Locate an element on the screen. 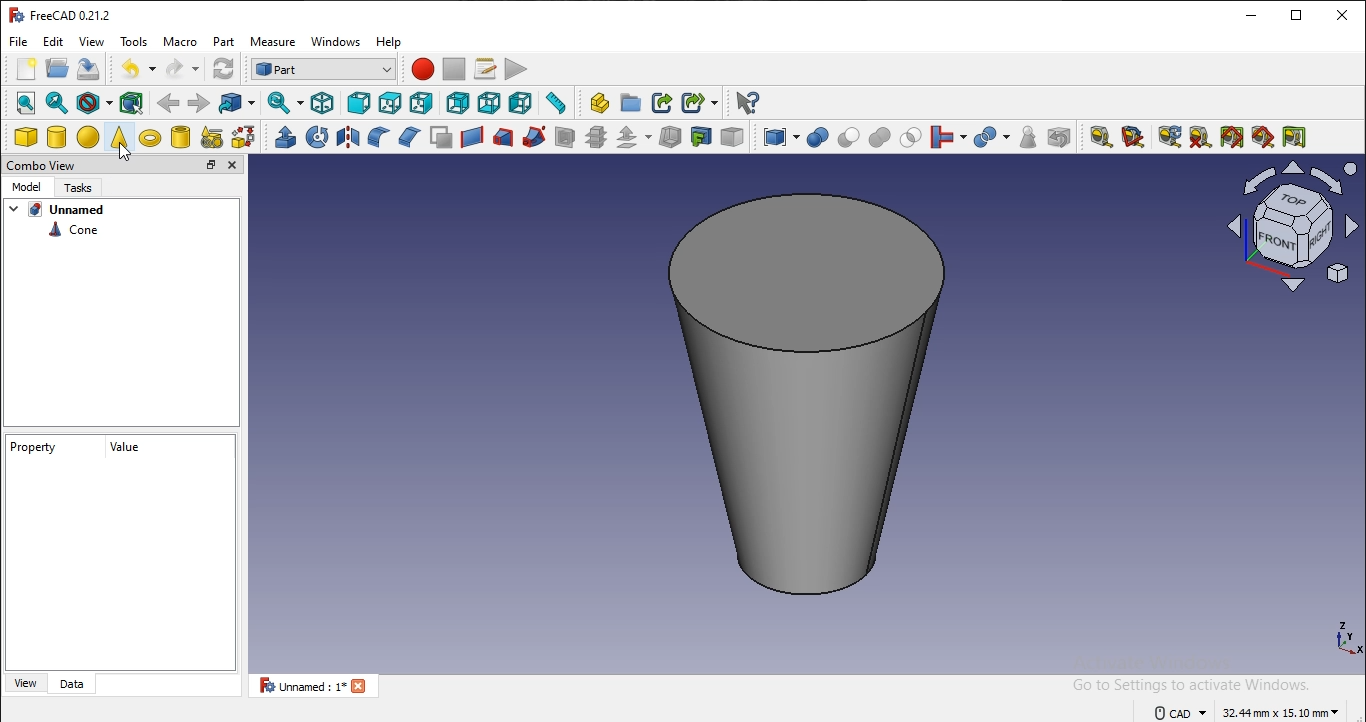 This screenshot has height=722, width=1366. cross section is located at coordinates (598, 136).